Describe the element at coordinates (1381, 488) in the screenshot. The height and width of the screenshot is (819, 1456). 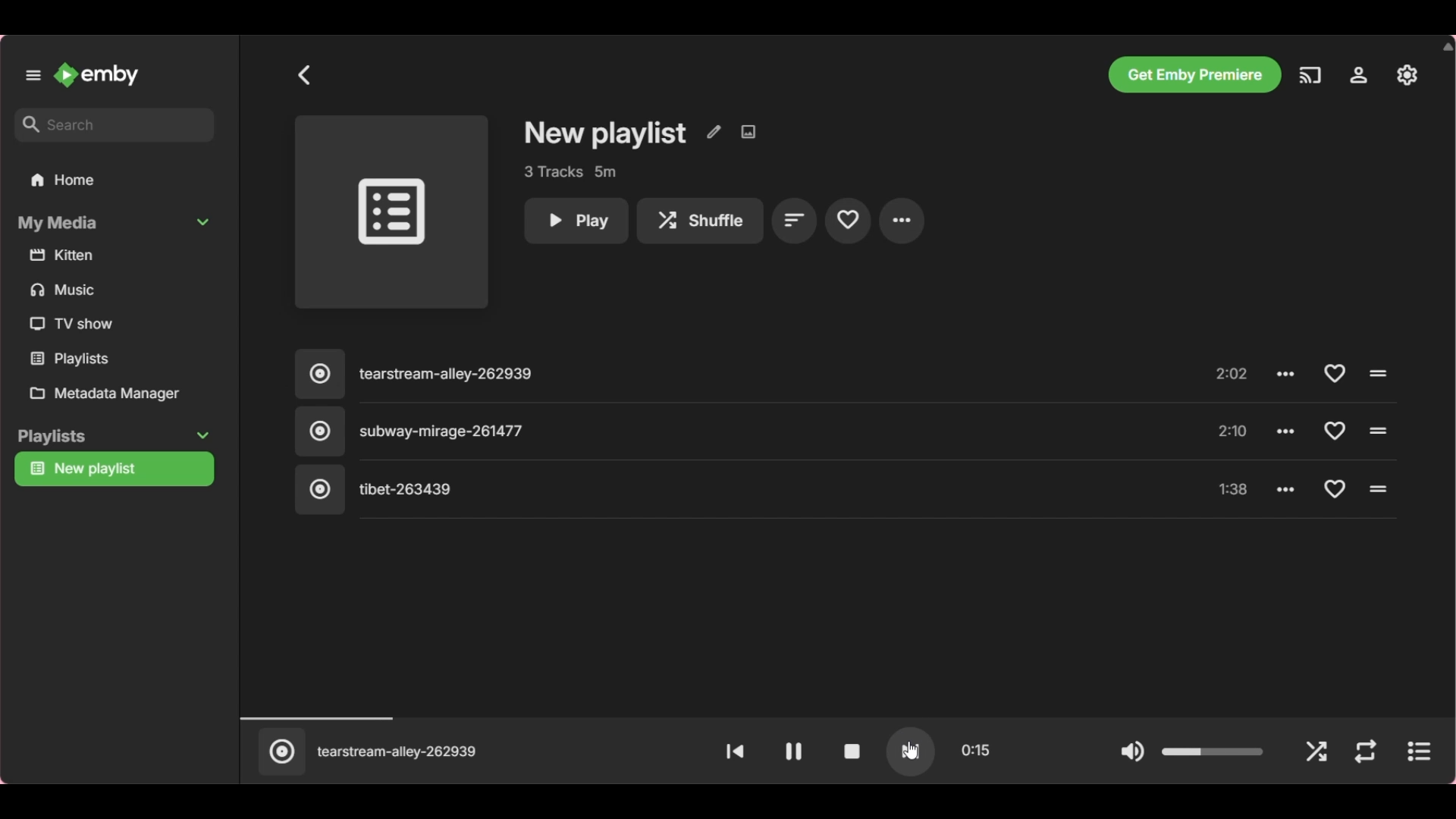
I see `click to play` at that location.